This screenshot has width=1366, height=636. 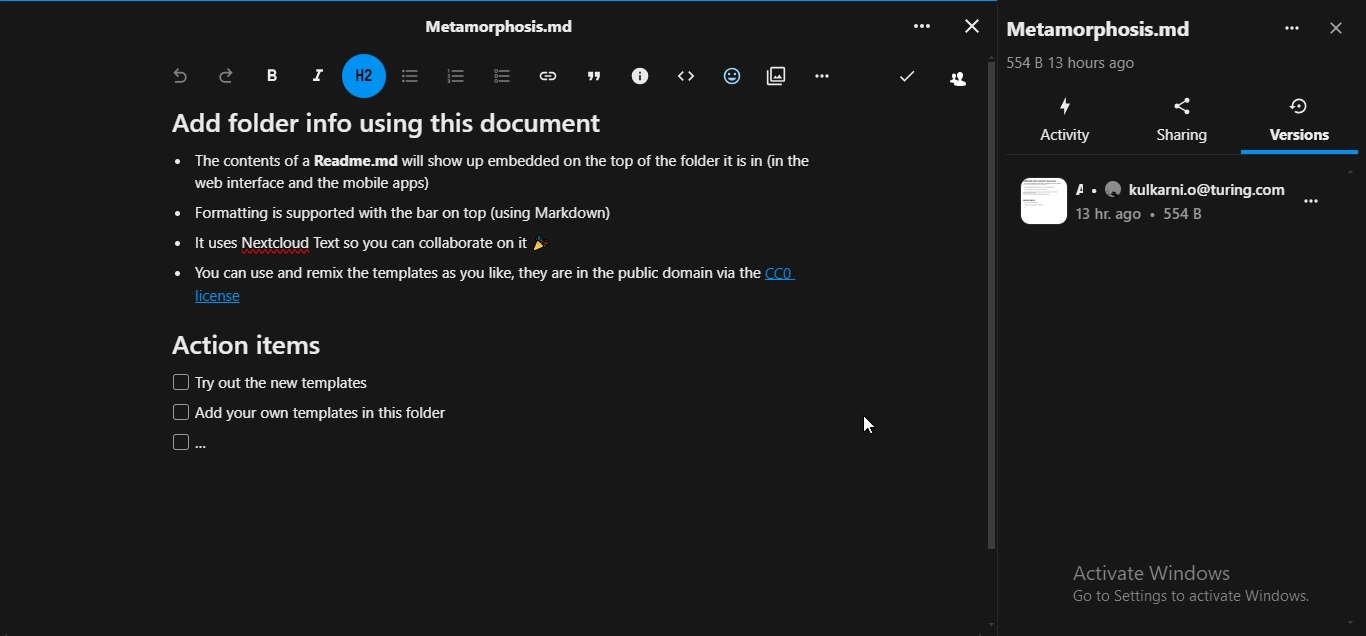 I want to click on ..., so click(x=920, y=25).